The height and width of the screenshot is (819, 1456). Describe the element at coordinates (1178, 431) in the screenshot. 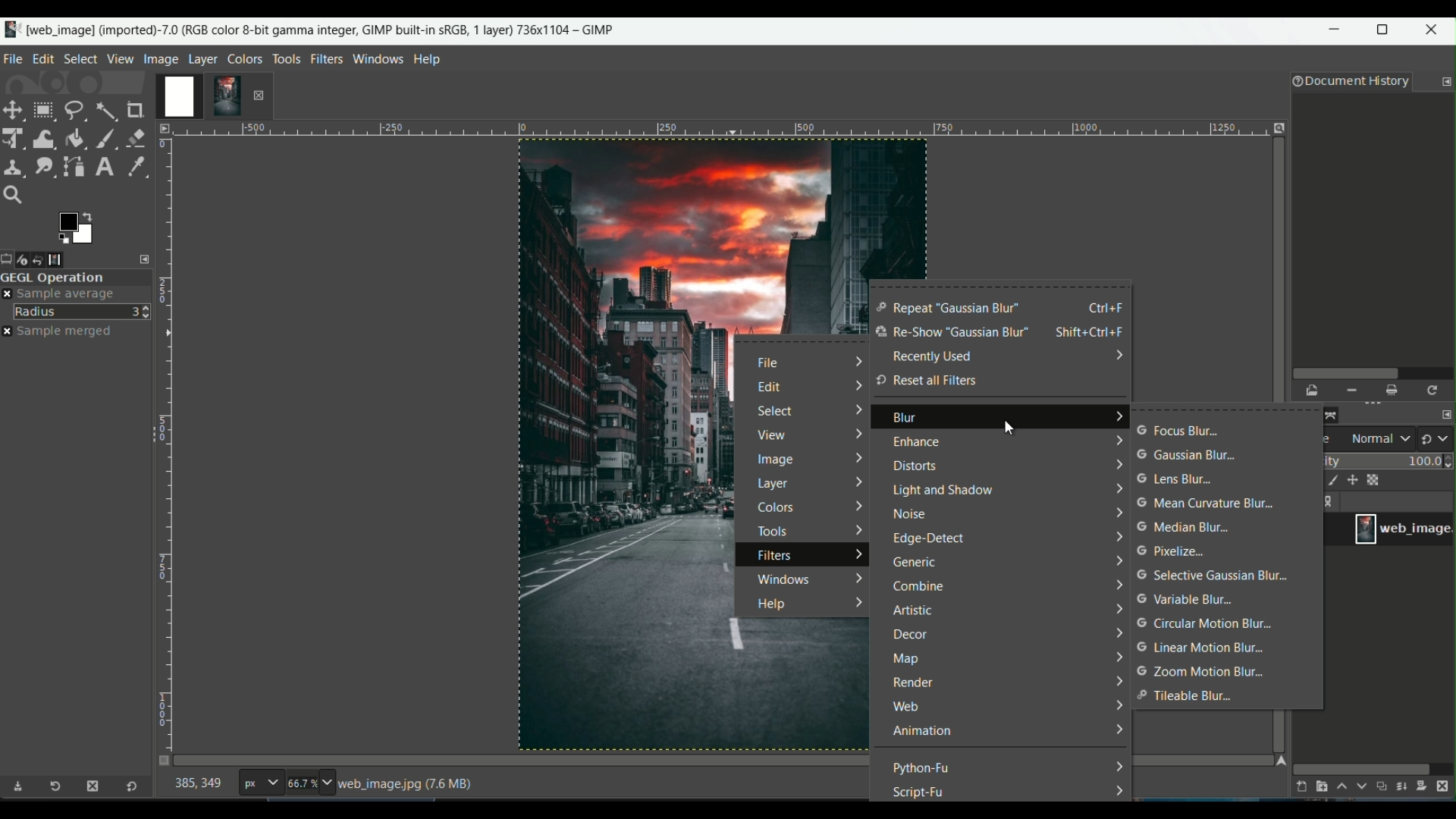

I see `focus blur` at that location.